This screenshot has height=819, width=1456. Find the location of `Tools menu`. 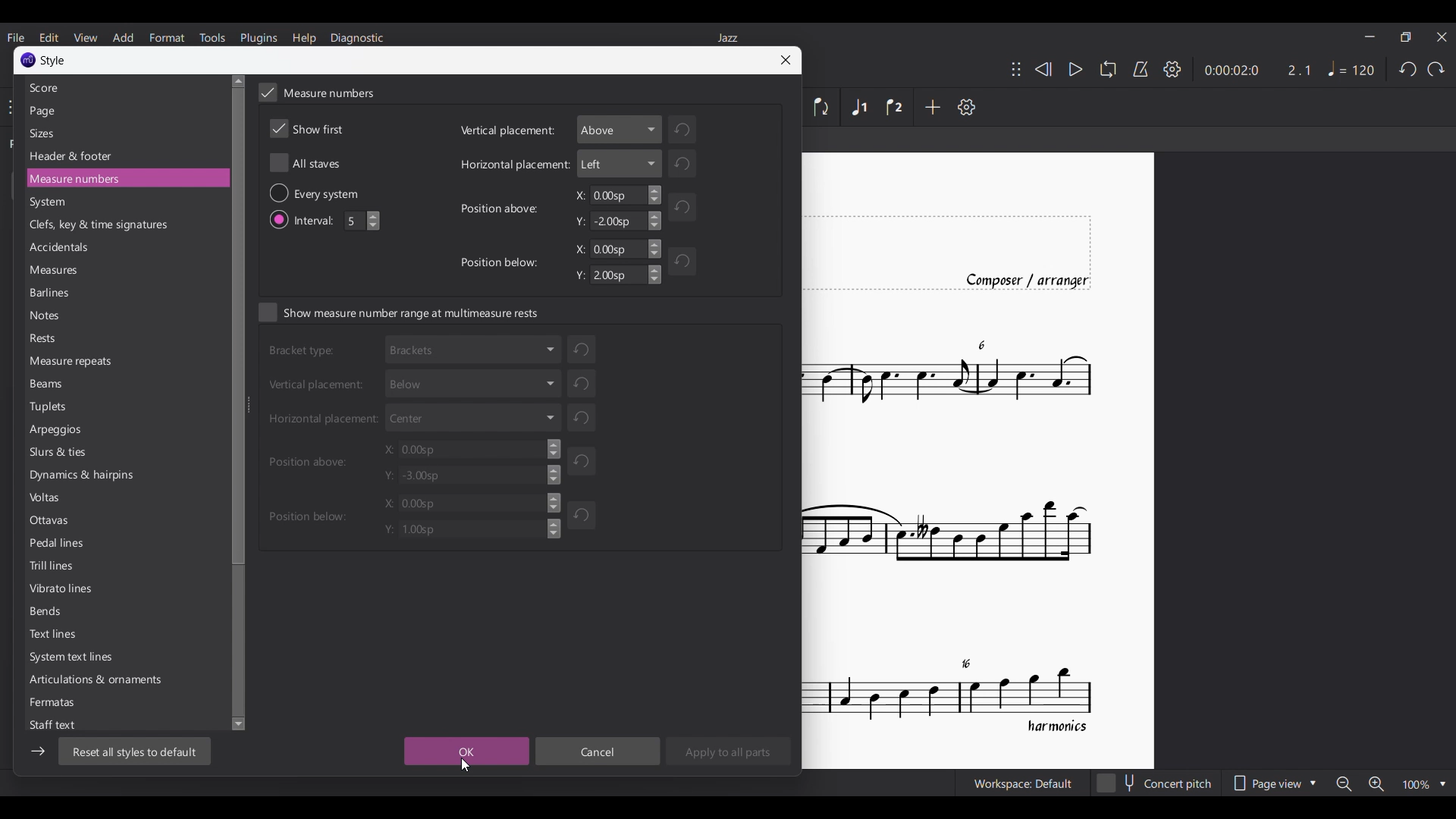

Tools menu is located at coordinates (212, 38).